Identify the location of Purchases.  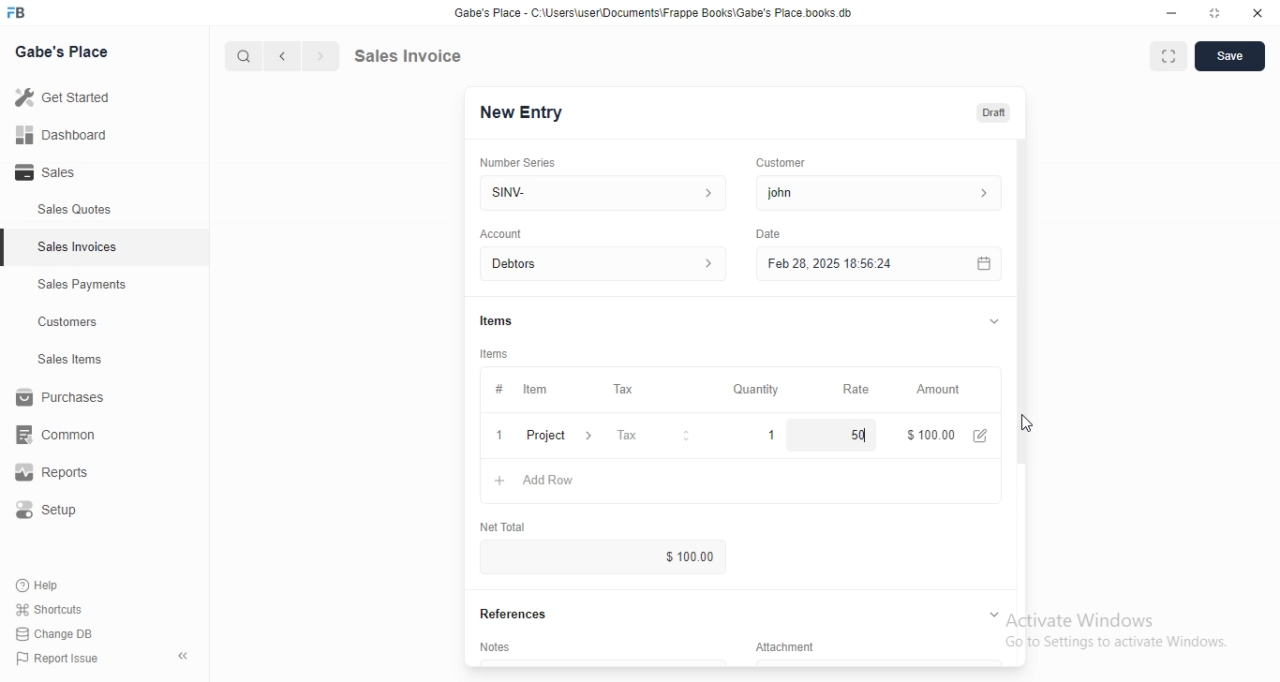
(64, 400).